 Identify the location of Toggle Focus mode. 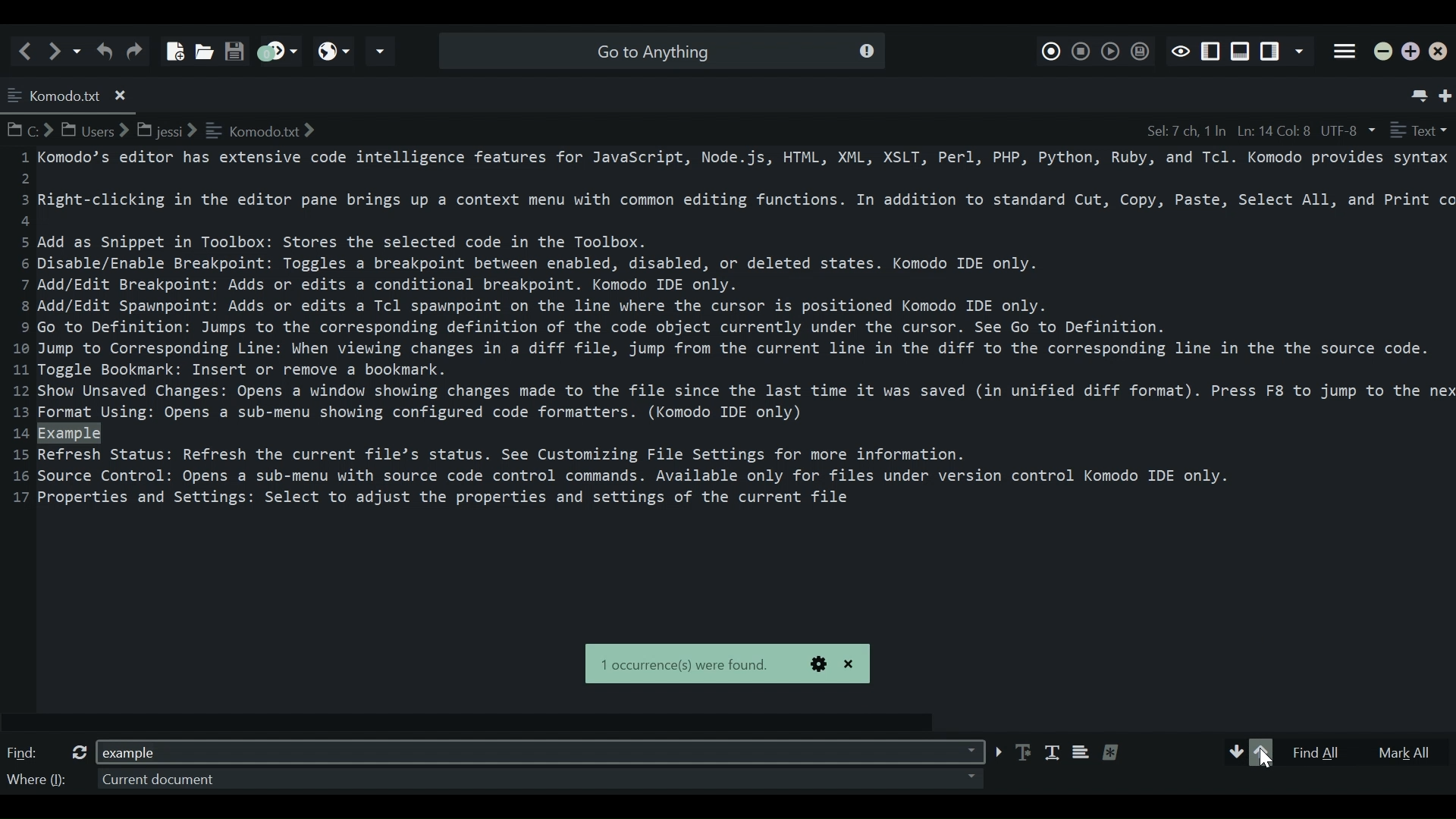
(1180, 50).